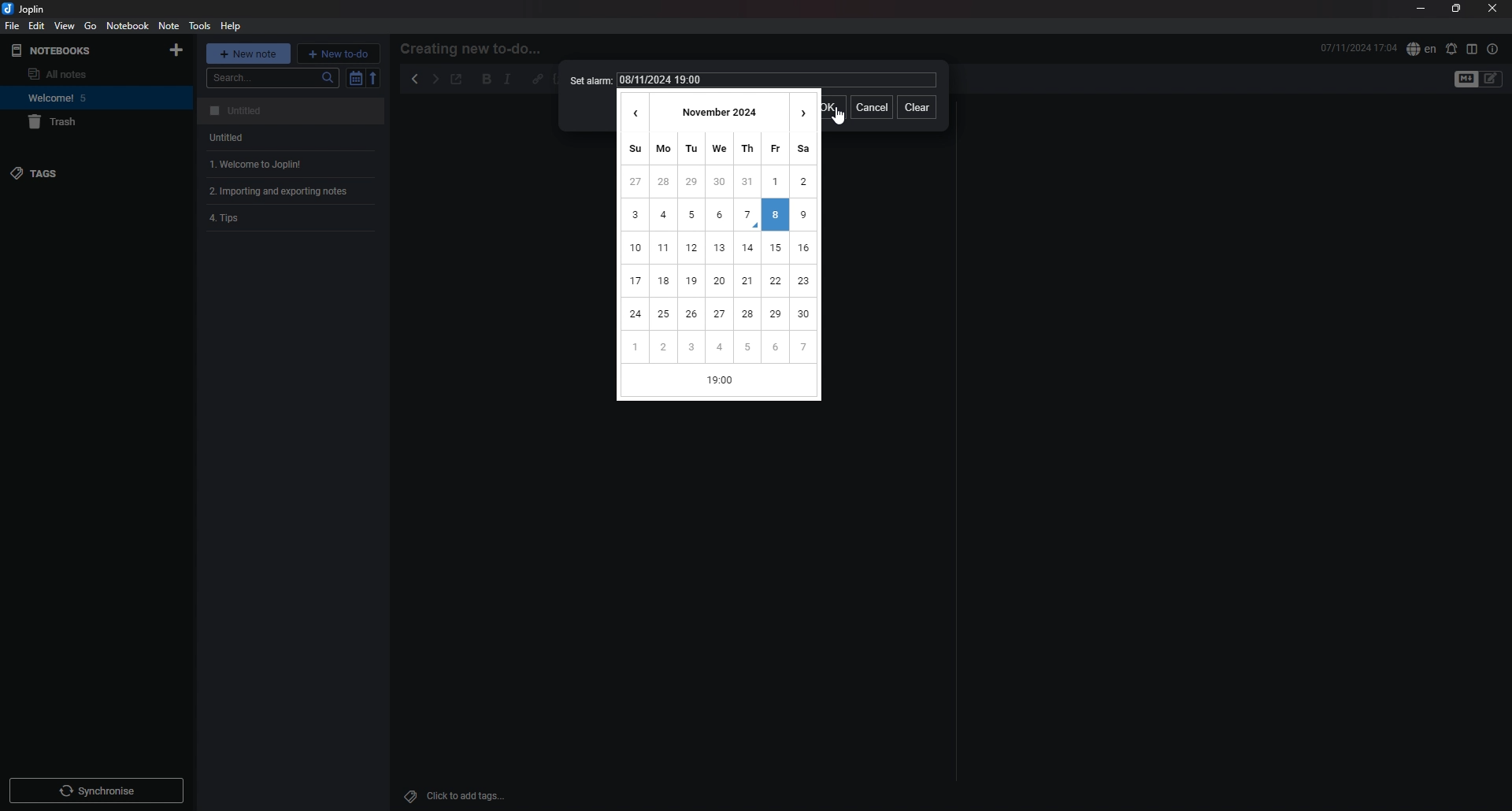 The image size is (1512, 811). Describe the element at coordinates (248, 52) in the screenshot. I see `new note` at that location.